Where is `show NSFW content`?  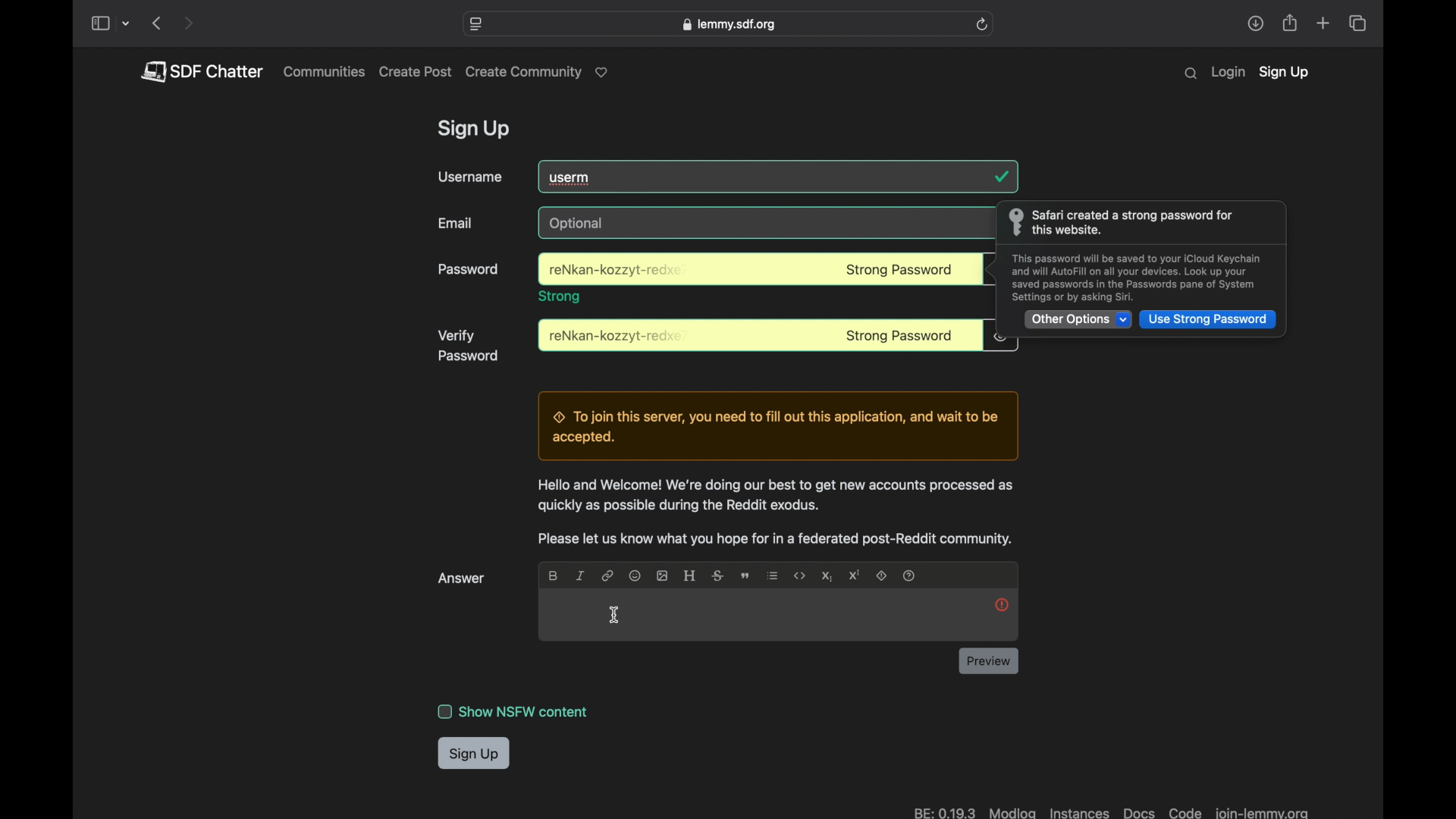
show NSFW content is located at coordinates (514, 711).